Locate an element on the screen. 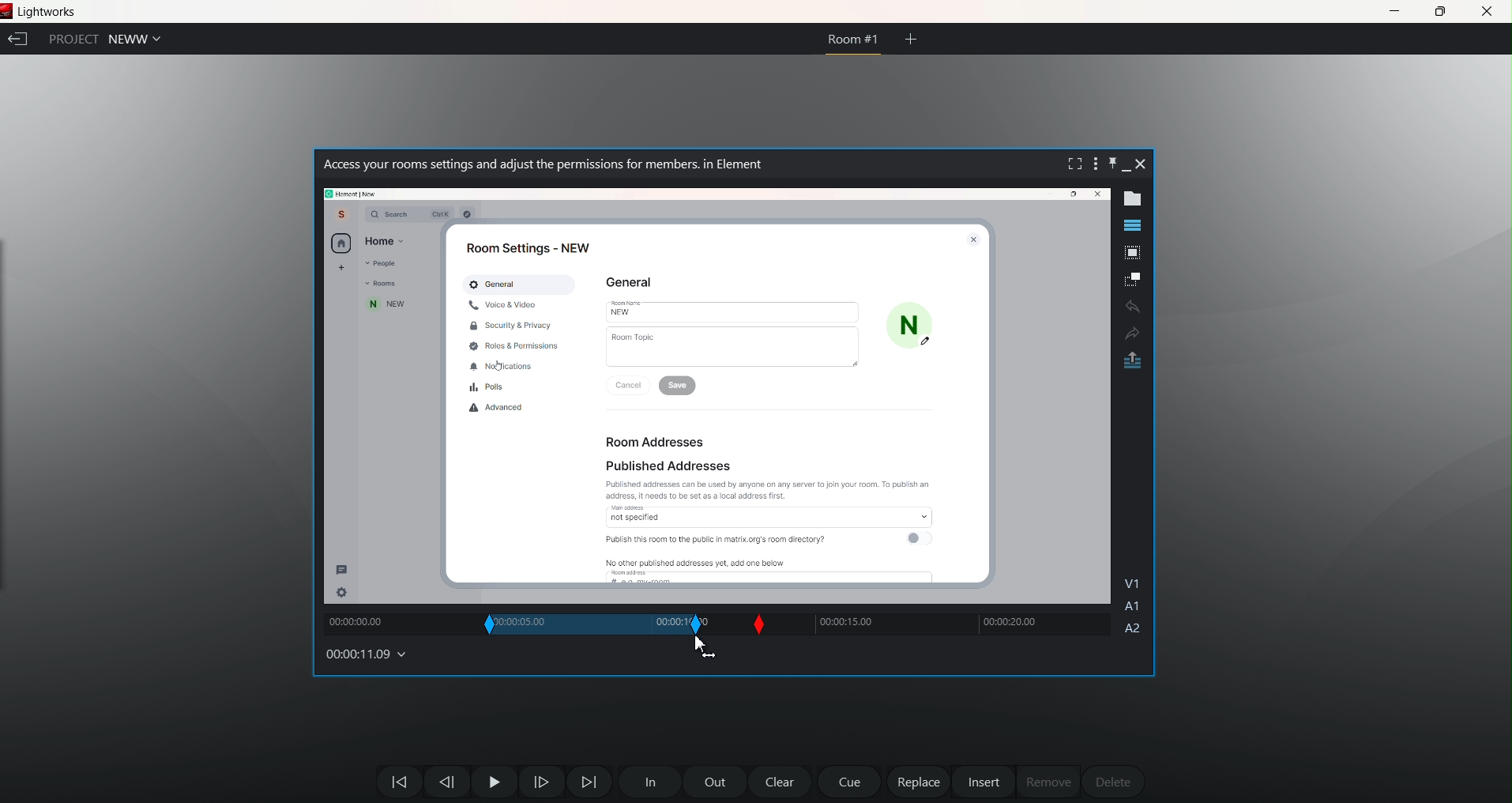  Security & Privacy is located at coordinates (511, 325).